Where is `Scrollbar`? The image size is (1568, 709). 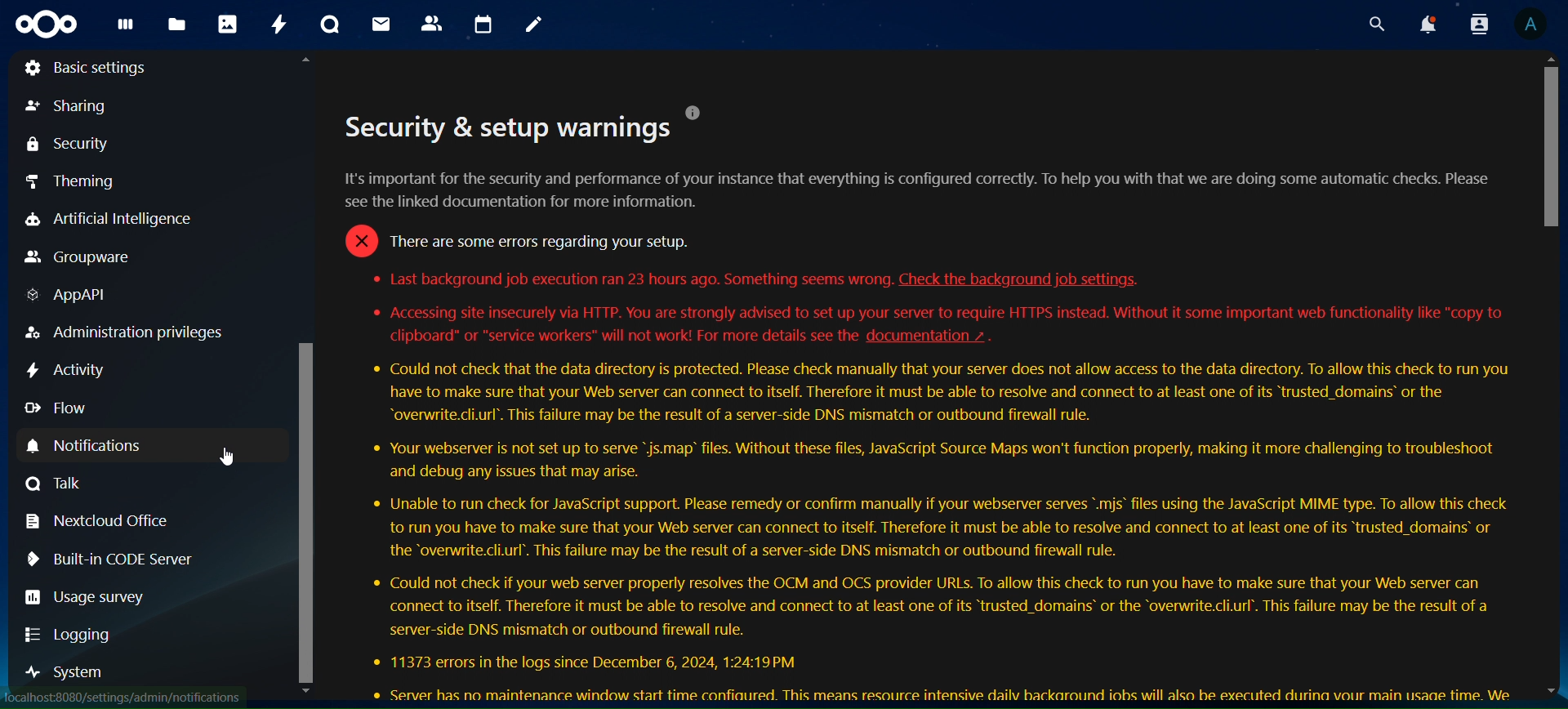
Scrollbar is located at coordinates (1548, 377).